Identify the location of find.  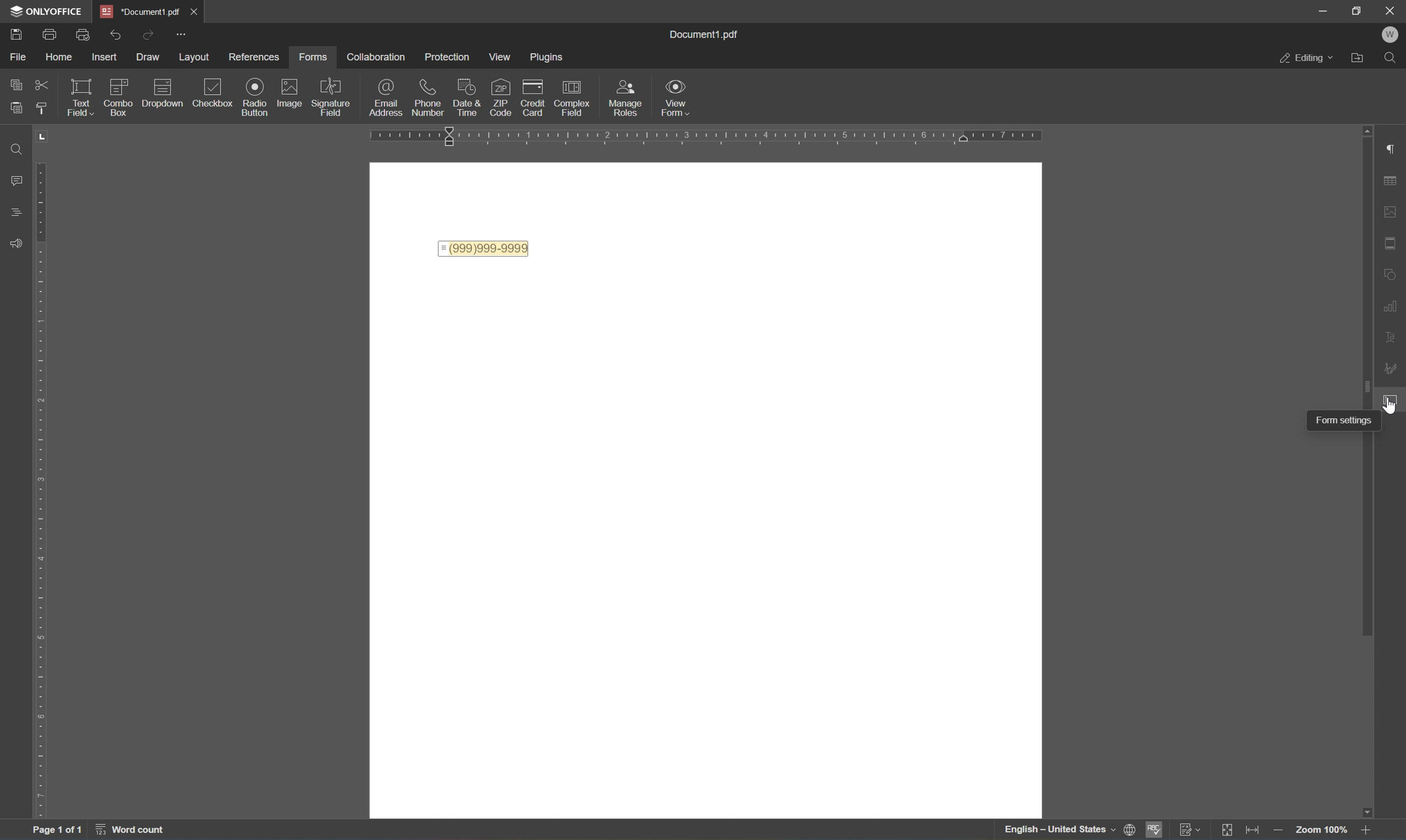
(11, 150).